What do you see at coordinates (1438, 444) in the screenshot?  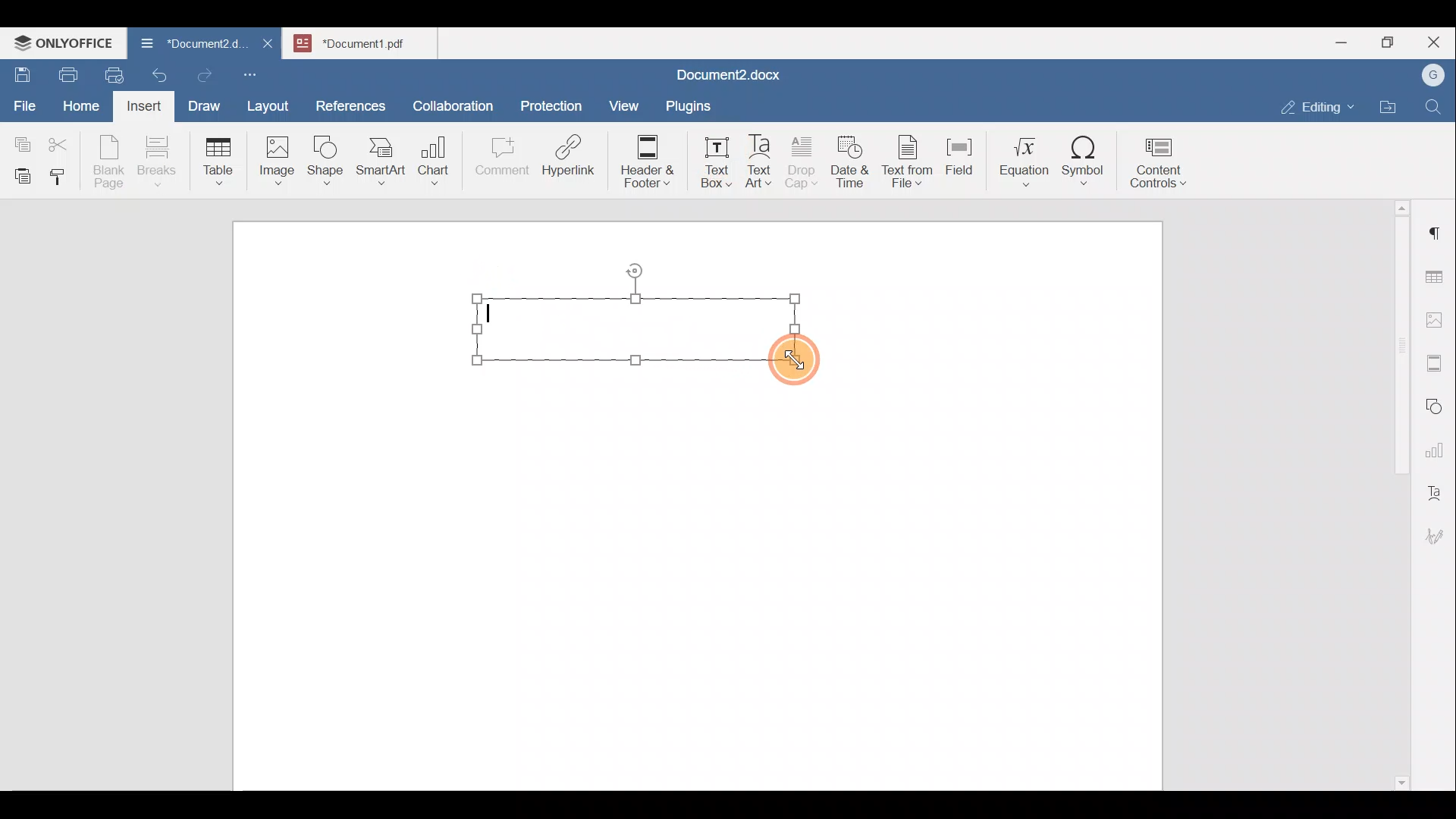 I see `Chart settings` at bounding box center [1438, 444].